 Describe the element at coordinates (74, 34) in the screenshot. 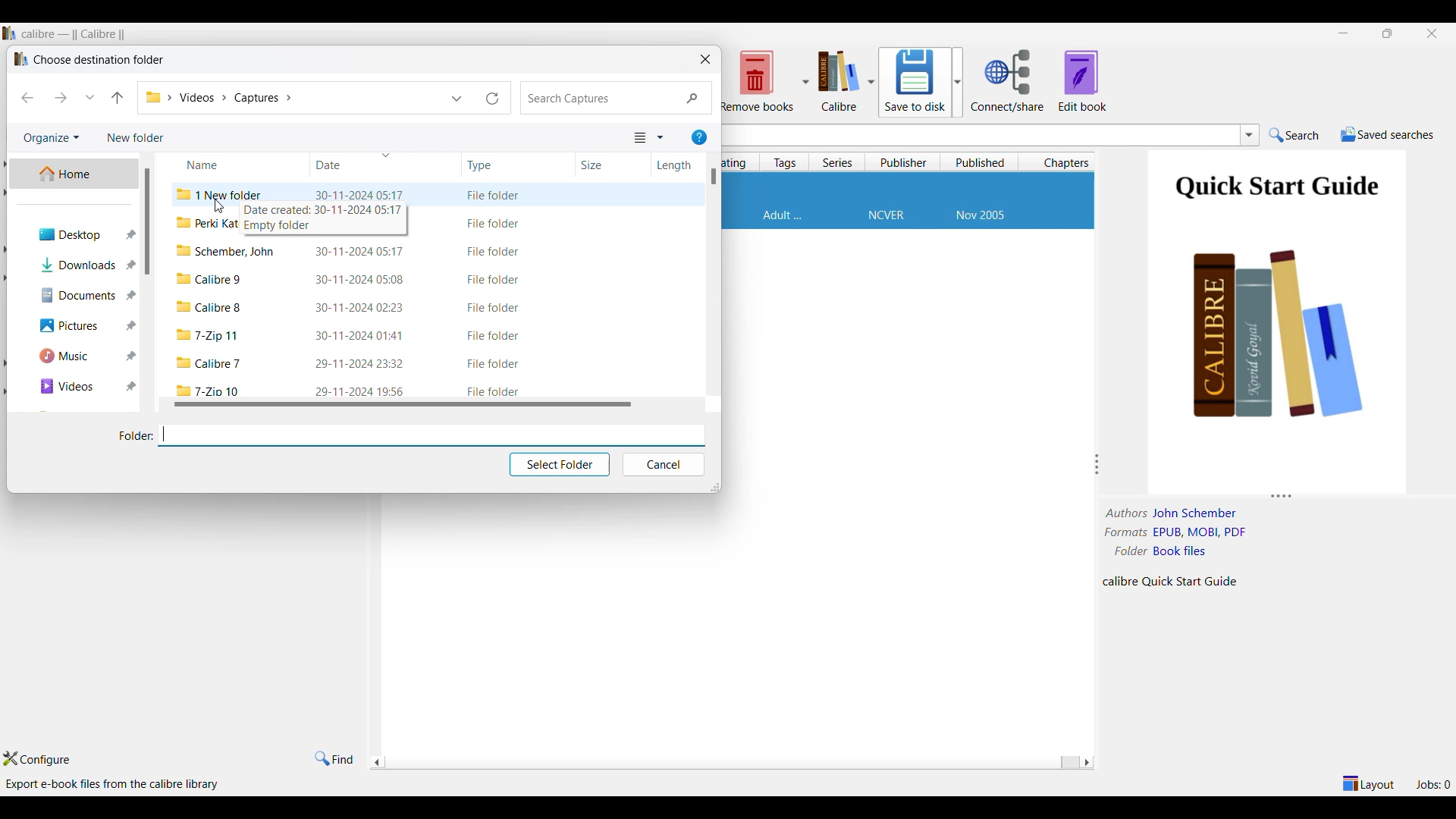

I see `Software name` at that location.